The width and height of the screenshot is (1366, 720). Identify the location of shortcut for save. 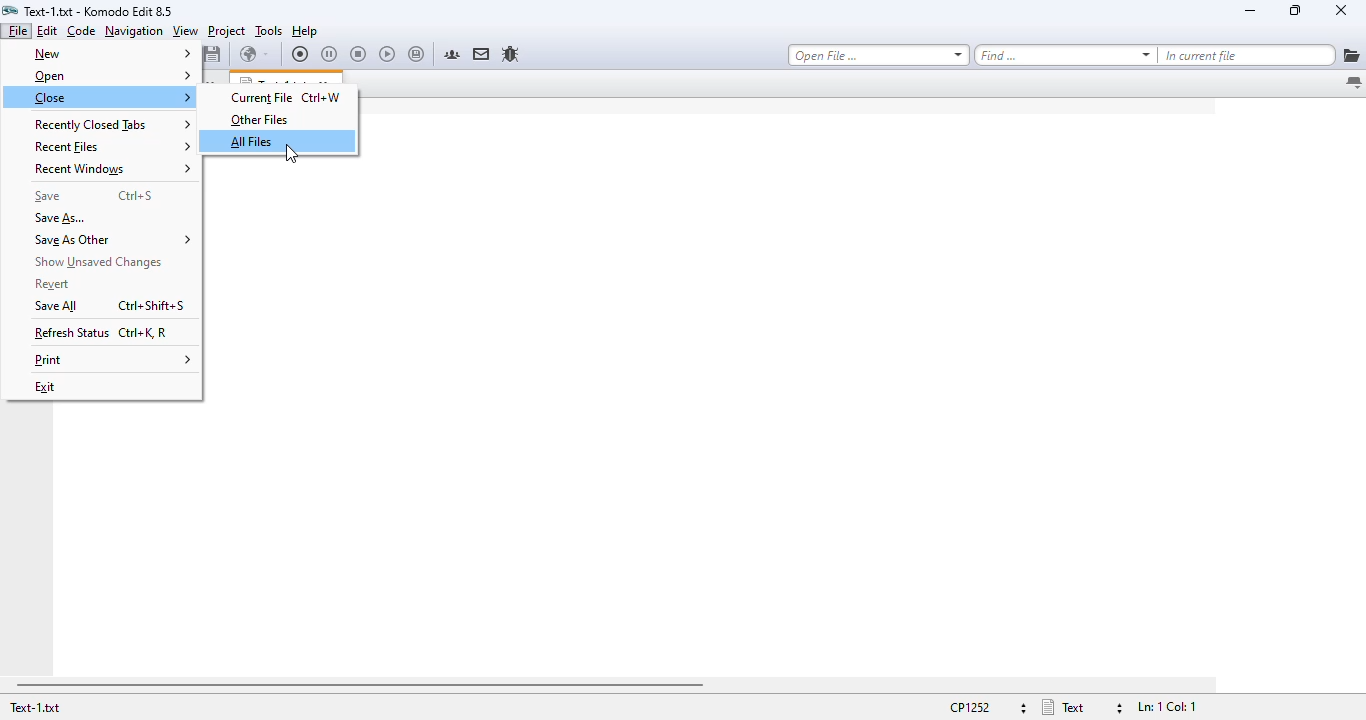
(136, 195).